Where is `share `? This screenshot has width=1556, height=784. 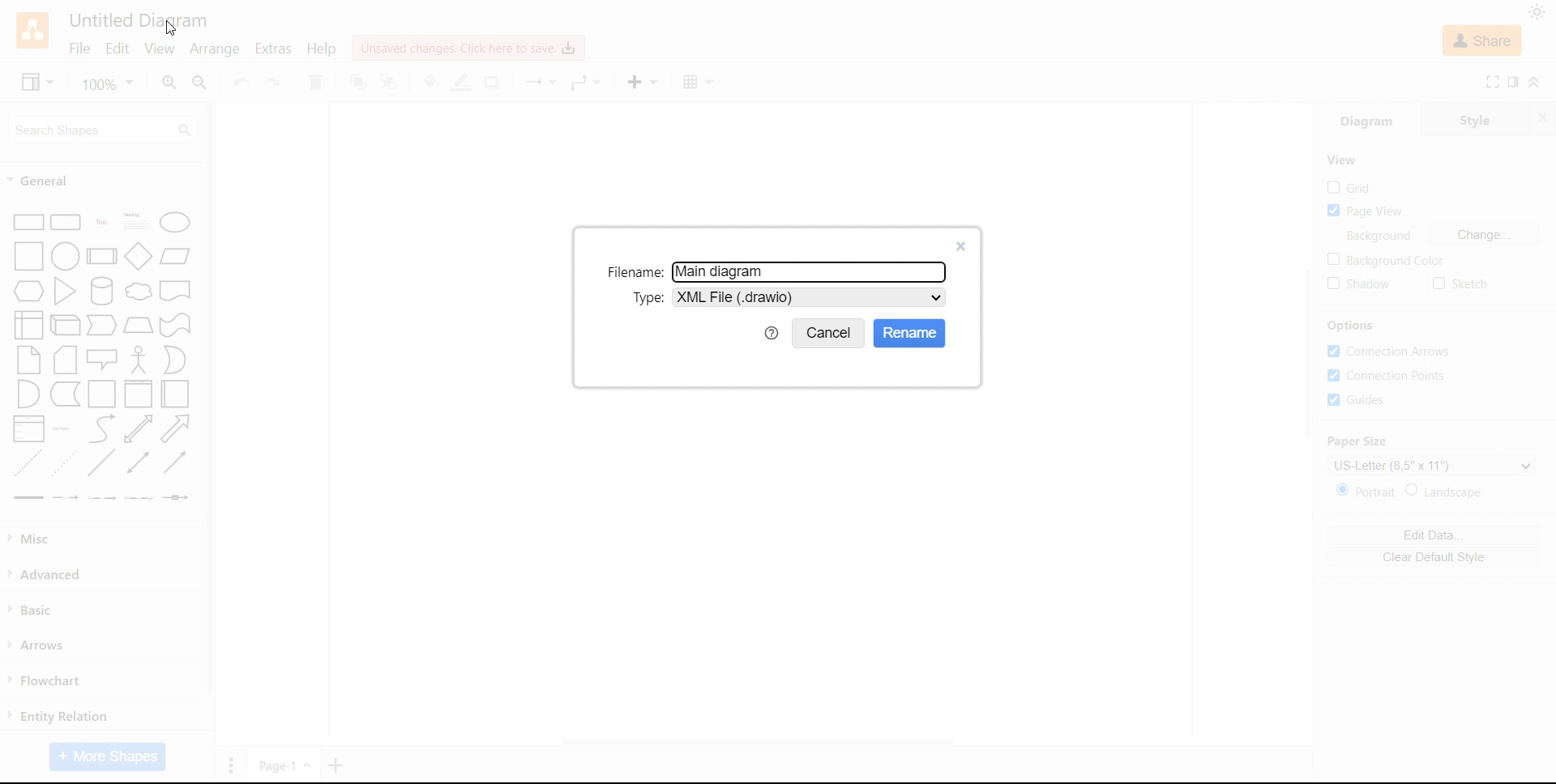
share  is located at coordinates (1483, 40).